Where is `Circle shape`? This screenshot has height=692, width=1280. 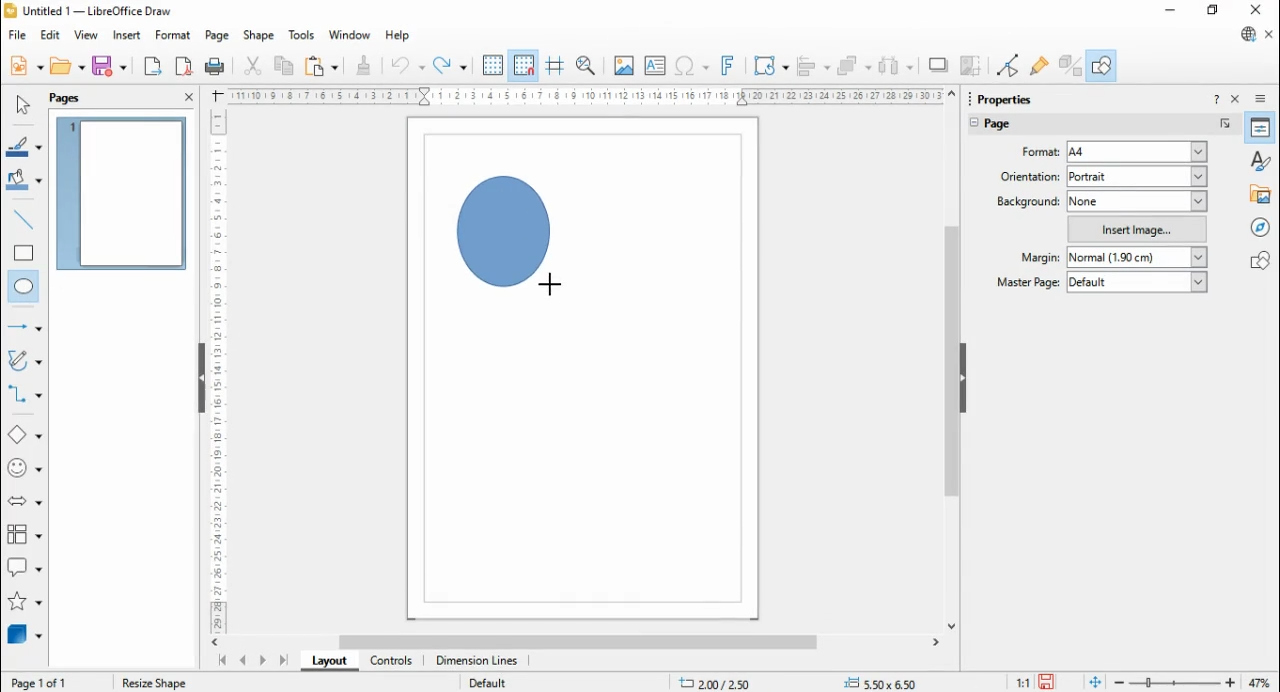
Circle shape is located at coordinates (508, 236).